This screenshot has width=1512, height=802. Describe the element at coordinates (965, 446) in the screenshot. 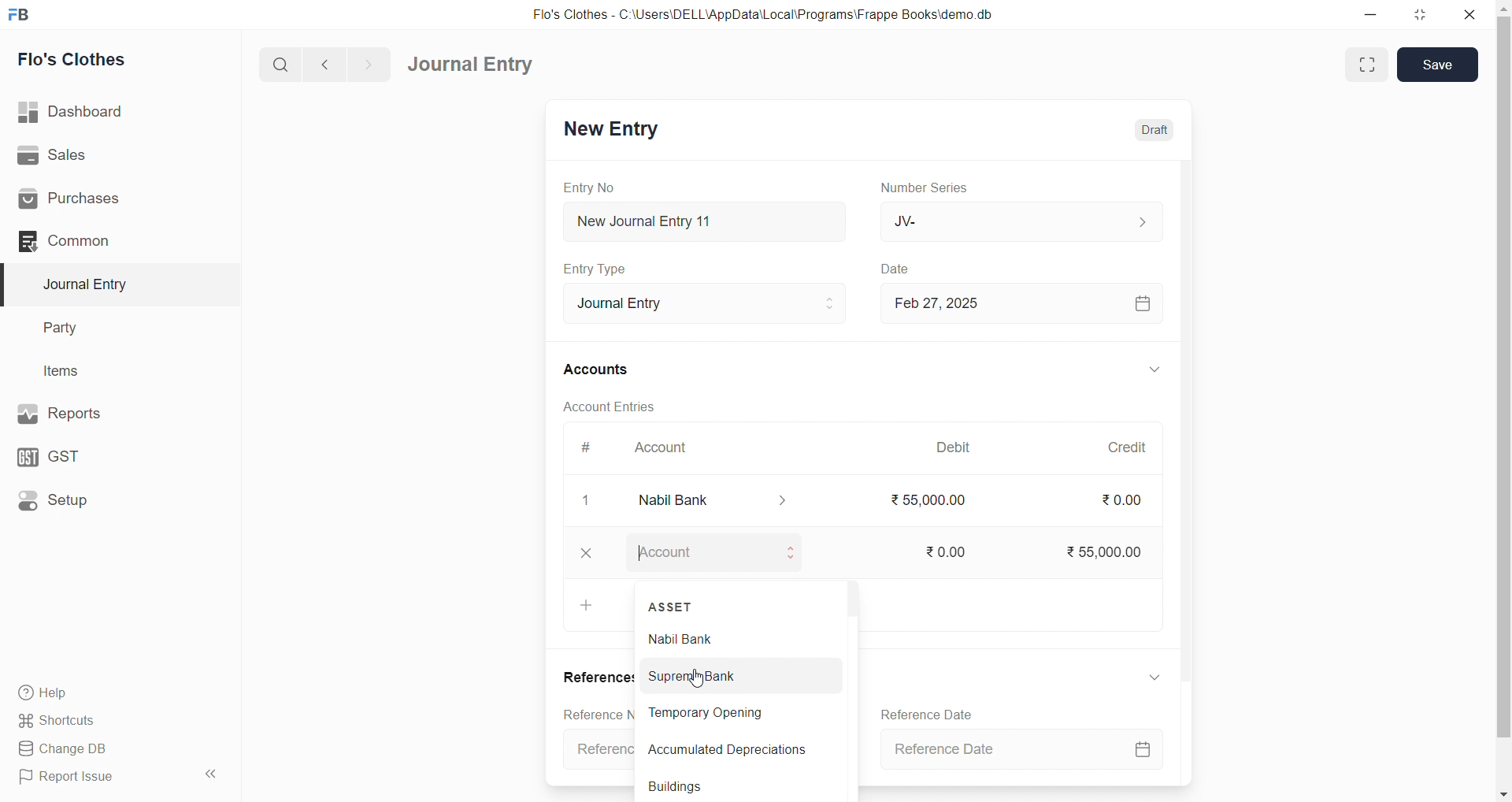

I see `Debit` at that location.